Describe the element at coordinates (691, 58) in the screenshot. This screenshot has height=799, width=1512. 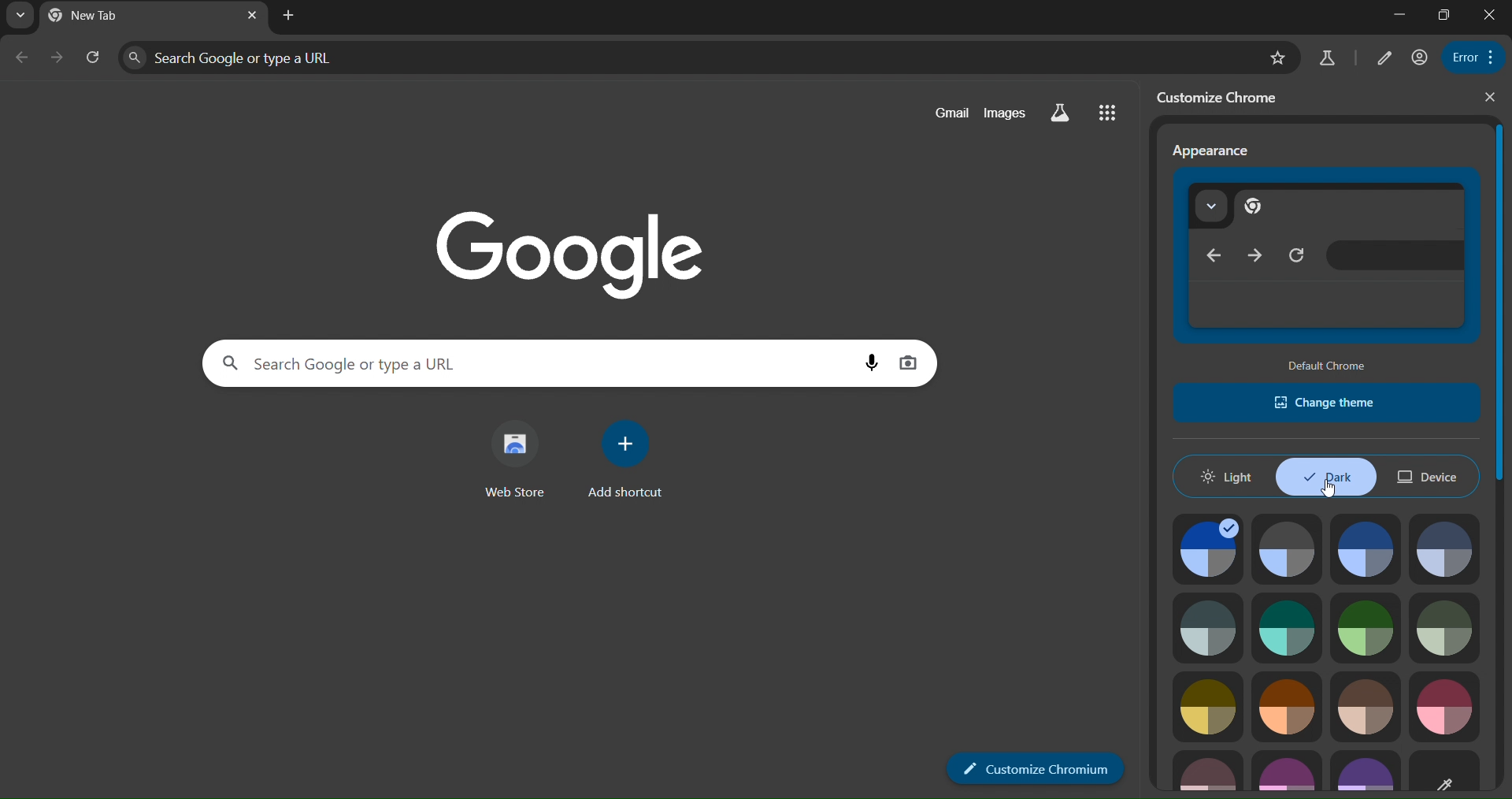
I see `search panel` at that location.